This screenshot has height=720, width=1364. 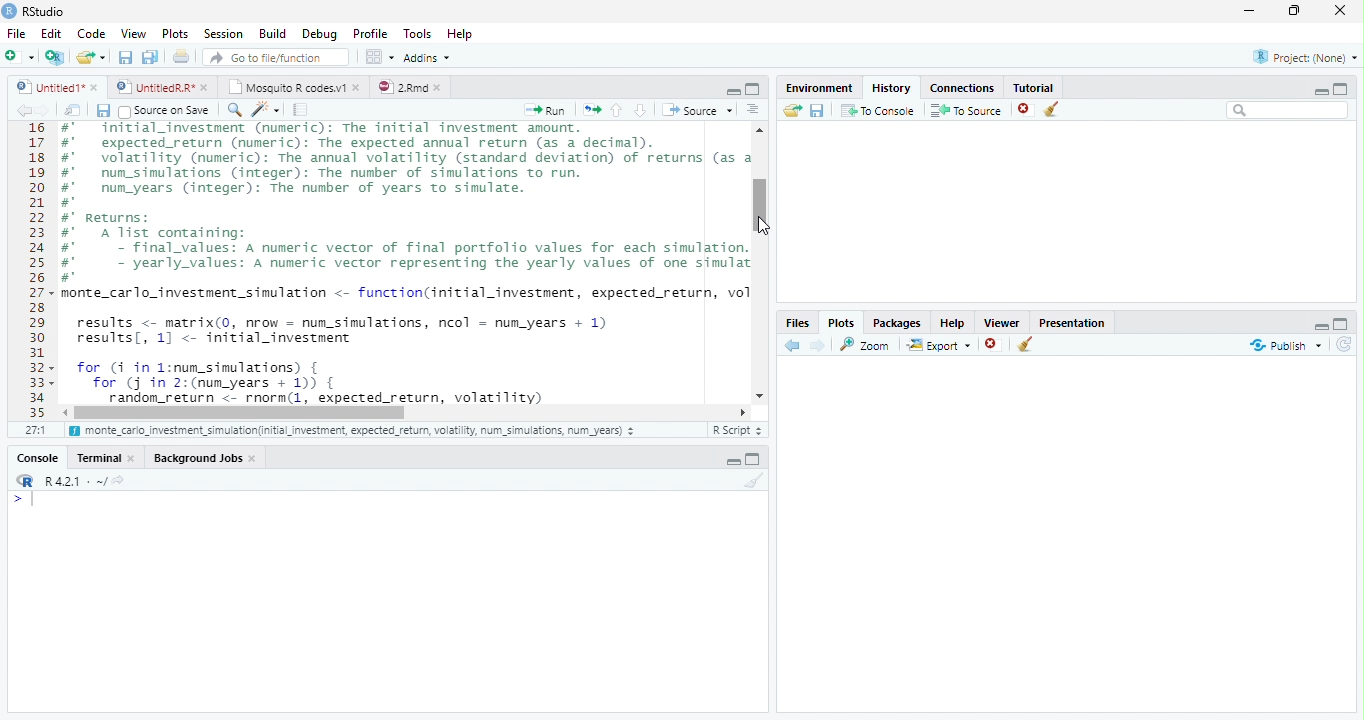 What do you see at coordinates (732, 89) in the screenshot?
I see `` at bounding box center [732, 89].